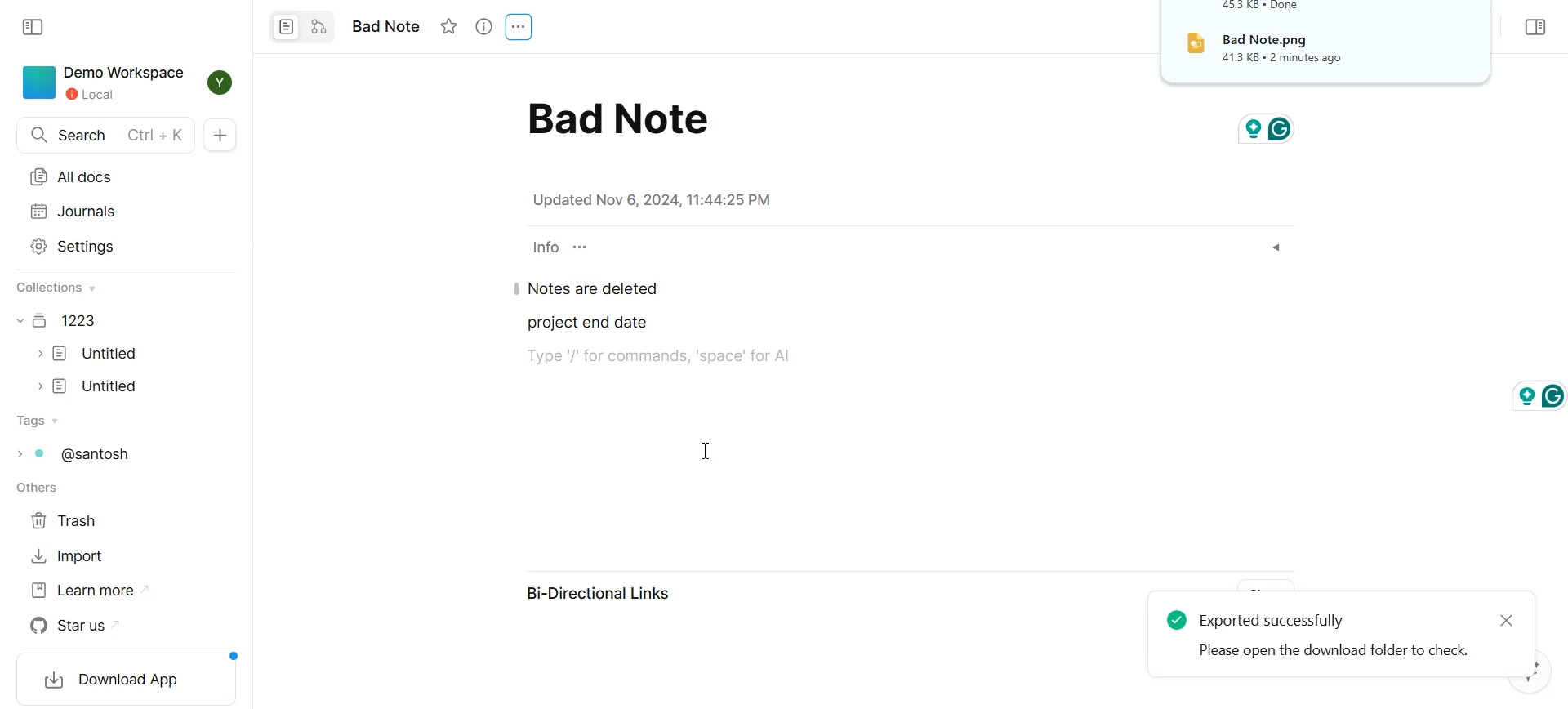 Image resolution: width=1568 pixels, height=709 pixels. I want to click on Settings, so click(104, 247).